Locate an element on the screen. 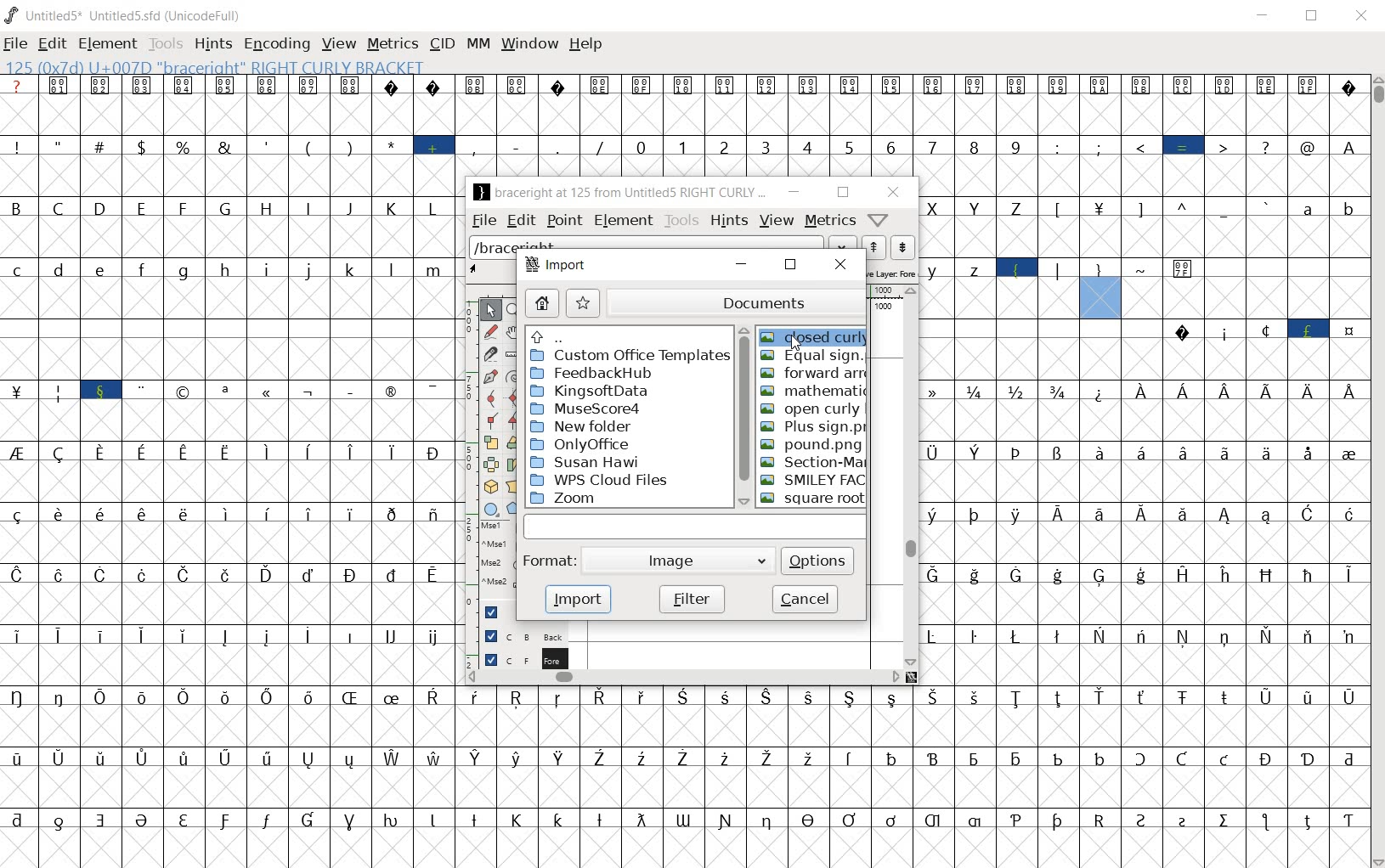 The height and width of the screenshot is (868, 1385). cut splines in two is located at coordinates (489, 353).